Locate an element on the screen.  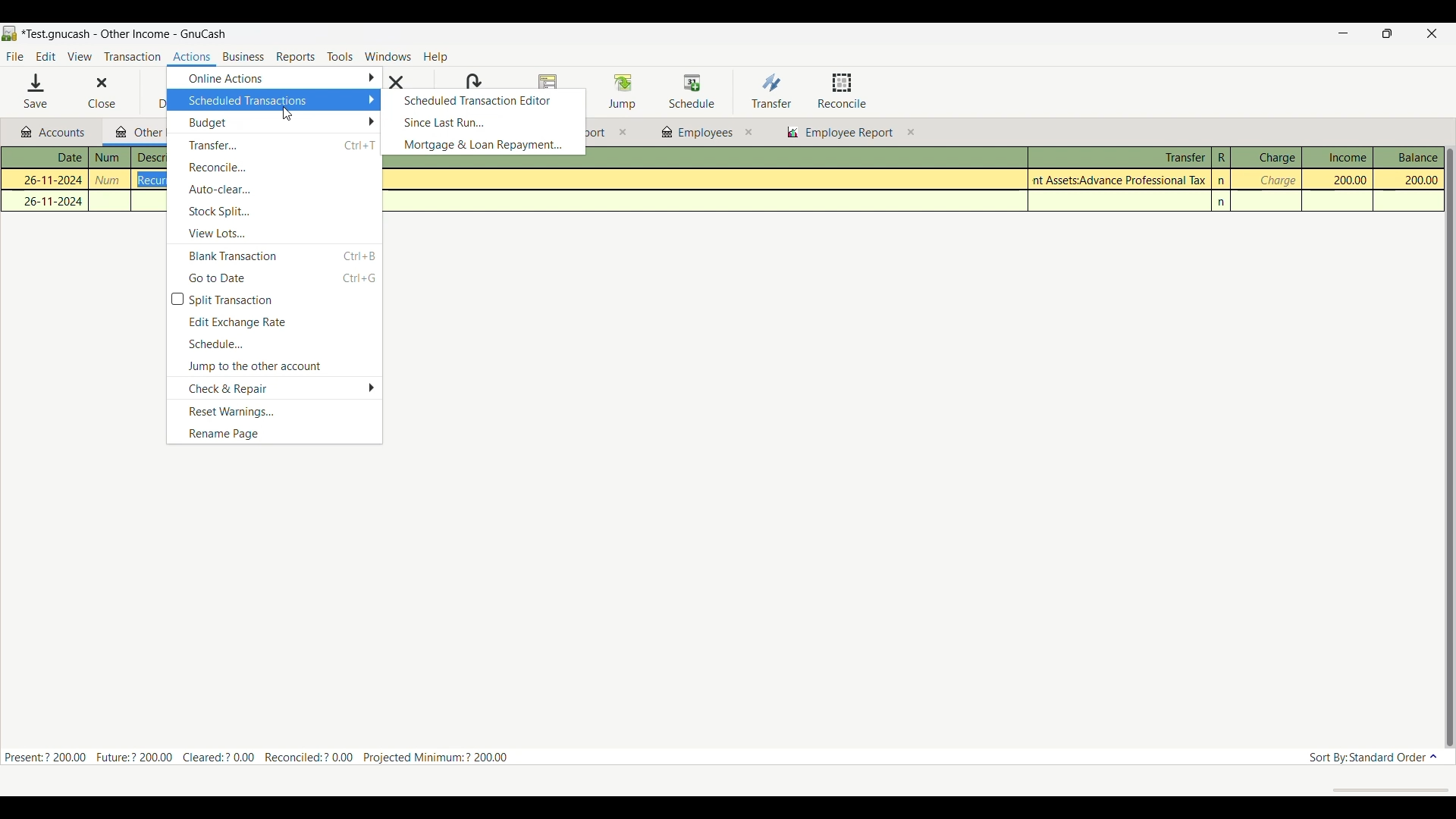
Jump is located at coordinates (622, 91).